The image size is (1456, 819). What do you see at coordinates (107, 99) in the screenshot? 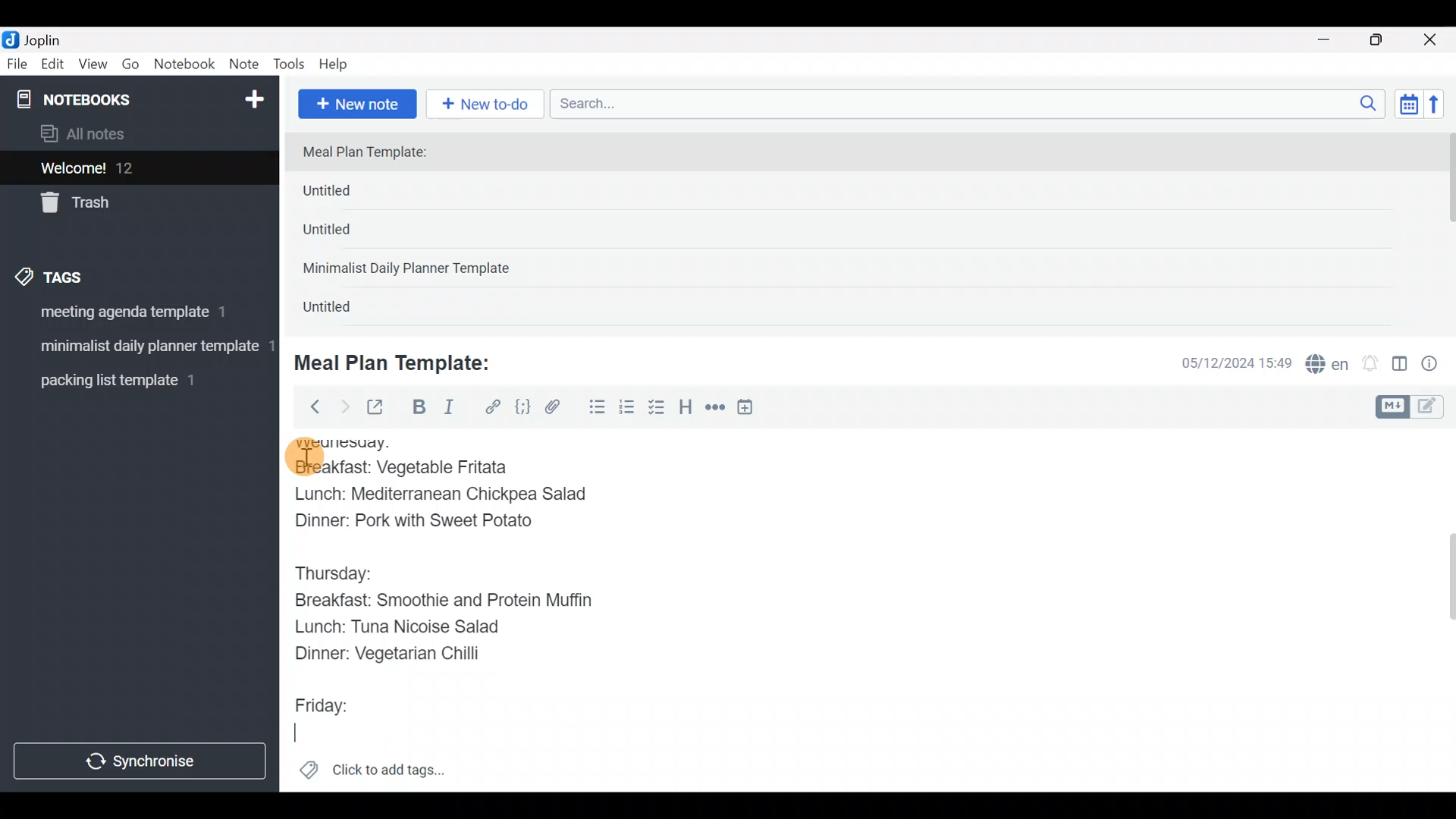
I see `Notebooks` at bounding box center [107, 99].